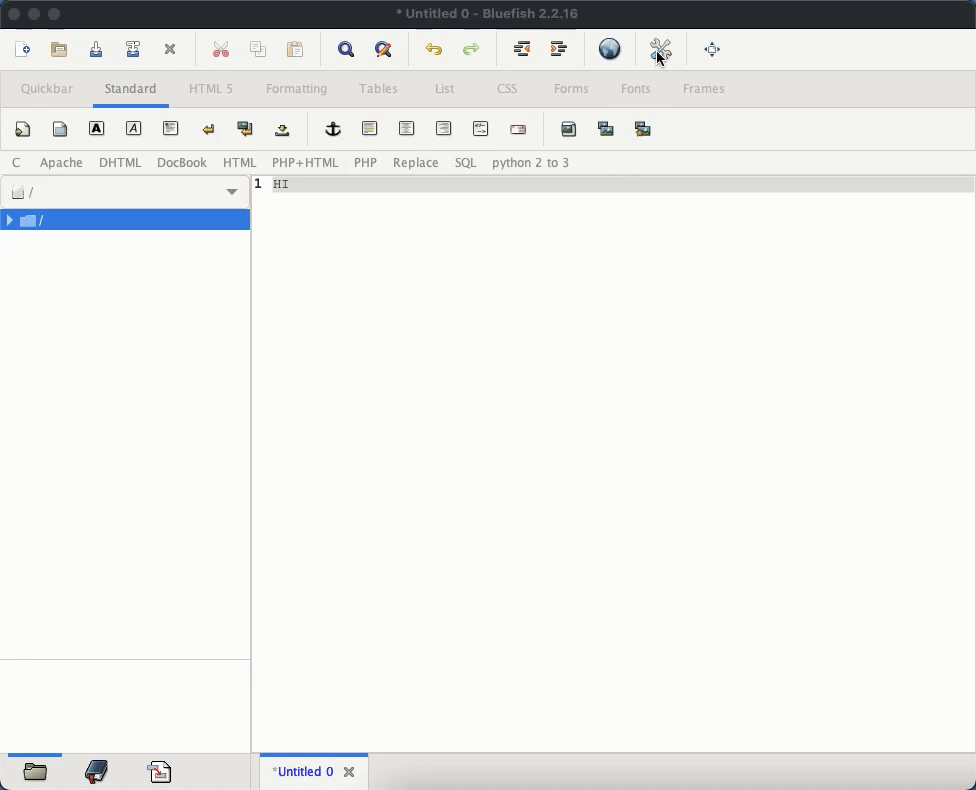 Image resolution: width=976 pixels, height=790 pixels. Describe the element at coordinates (606, 130) in the screenshot. I see `insert thumbnail` at that location.